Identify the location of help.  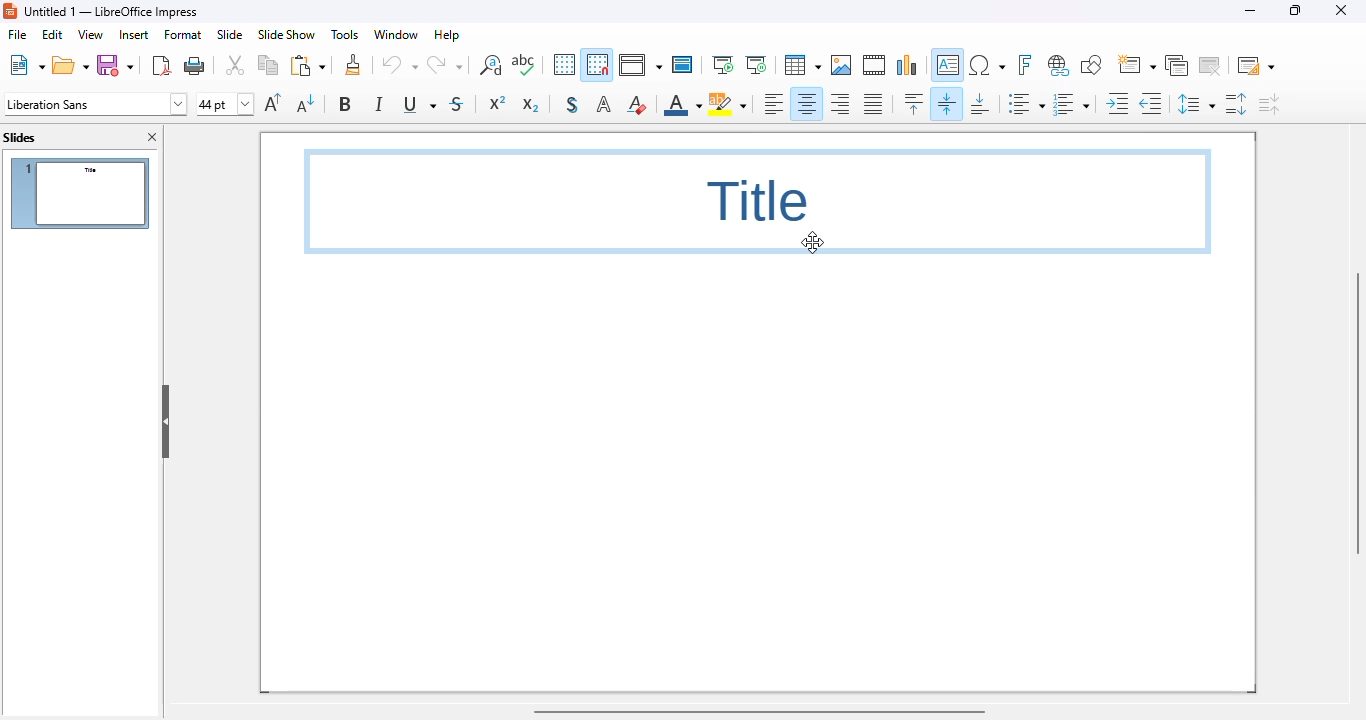
(448, 35).